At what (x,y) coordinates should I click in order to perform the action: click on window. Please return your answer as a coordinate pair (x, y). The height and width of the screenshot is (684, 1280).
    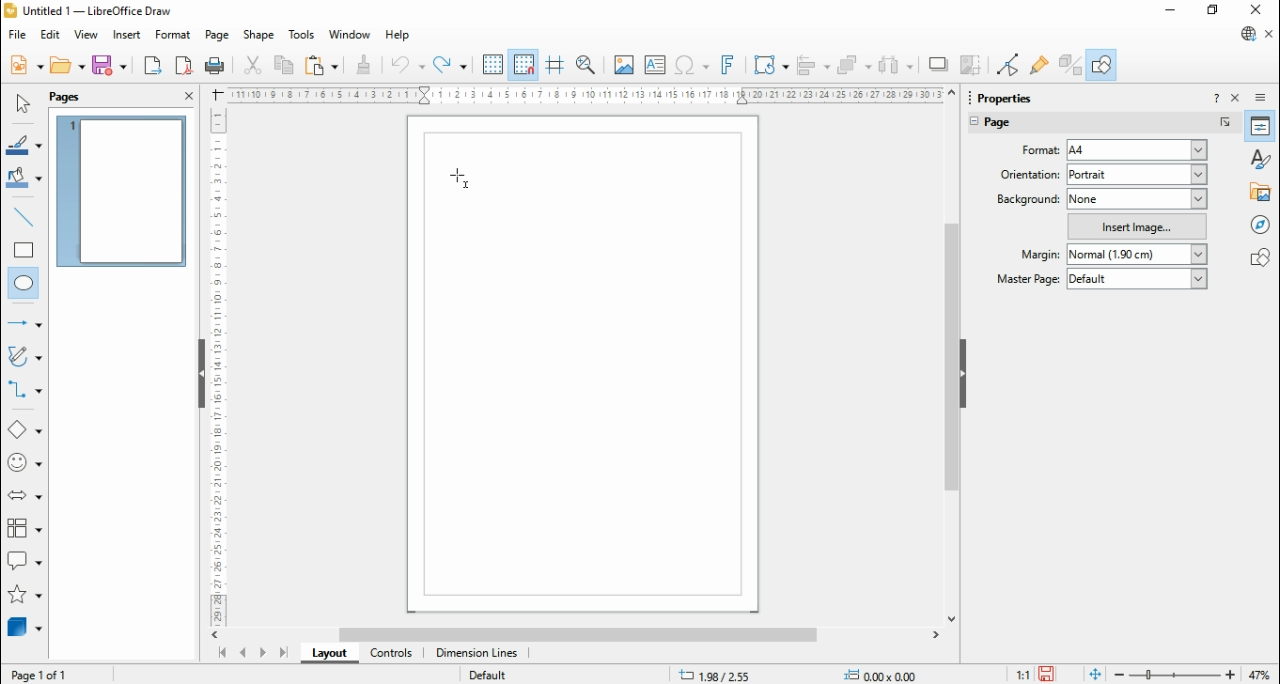
    Looking at the image, I should click on (350, 34).